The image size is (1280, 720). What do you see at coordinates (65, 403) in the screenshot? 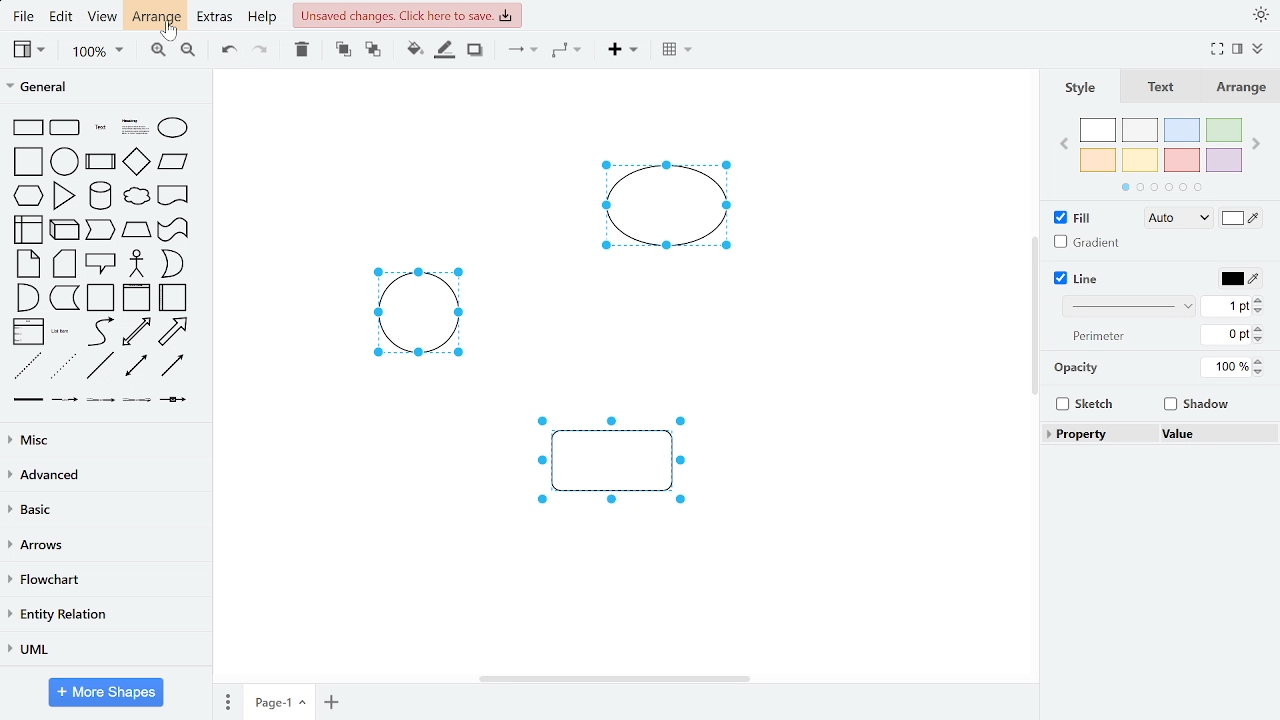
I see `Connector with label` at bounding box center [65, 403].